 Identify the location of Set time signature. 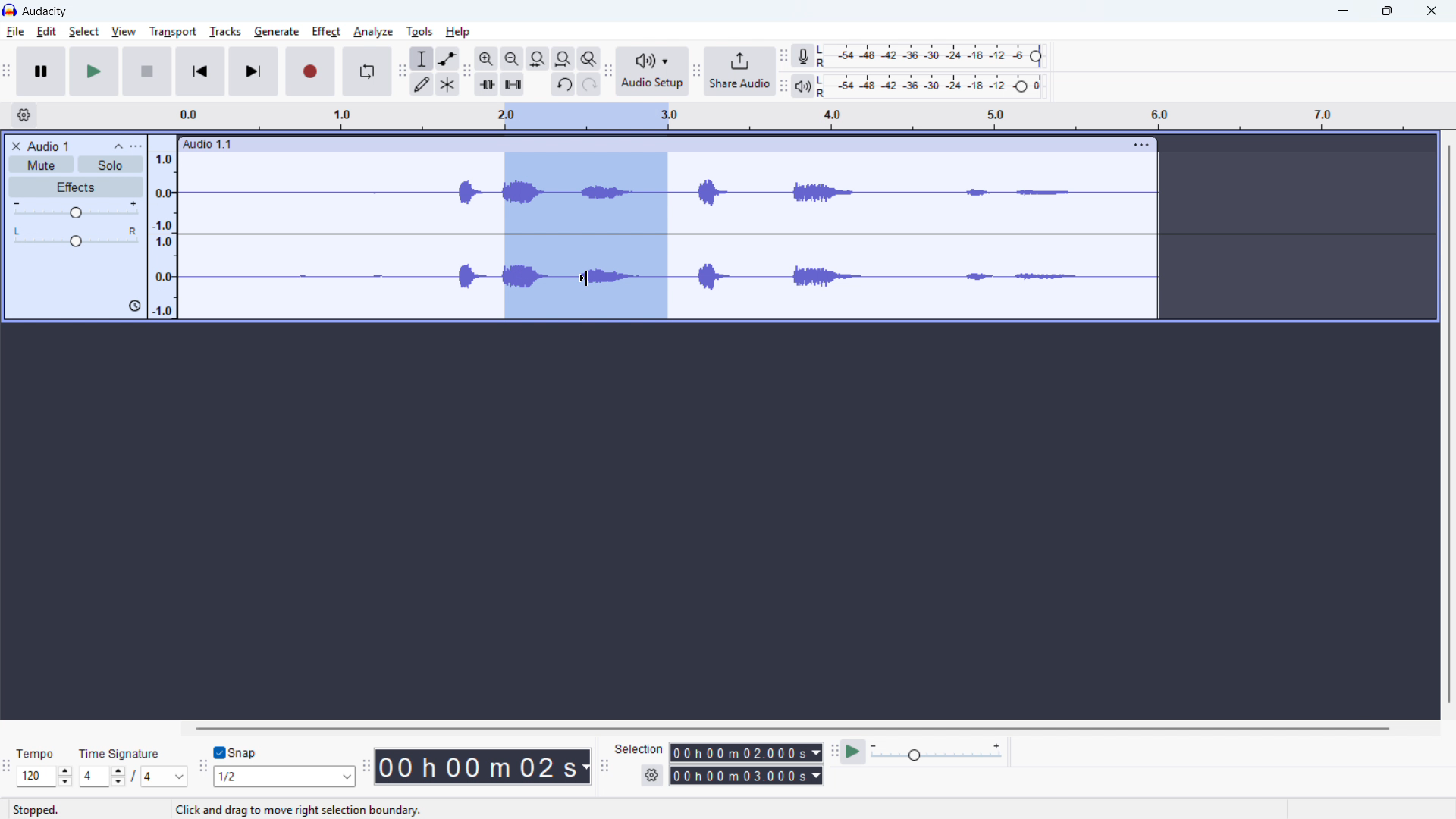
(133, 777).